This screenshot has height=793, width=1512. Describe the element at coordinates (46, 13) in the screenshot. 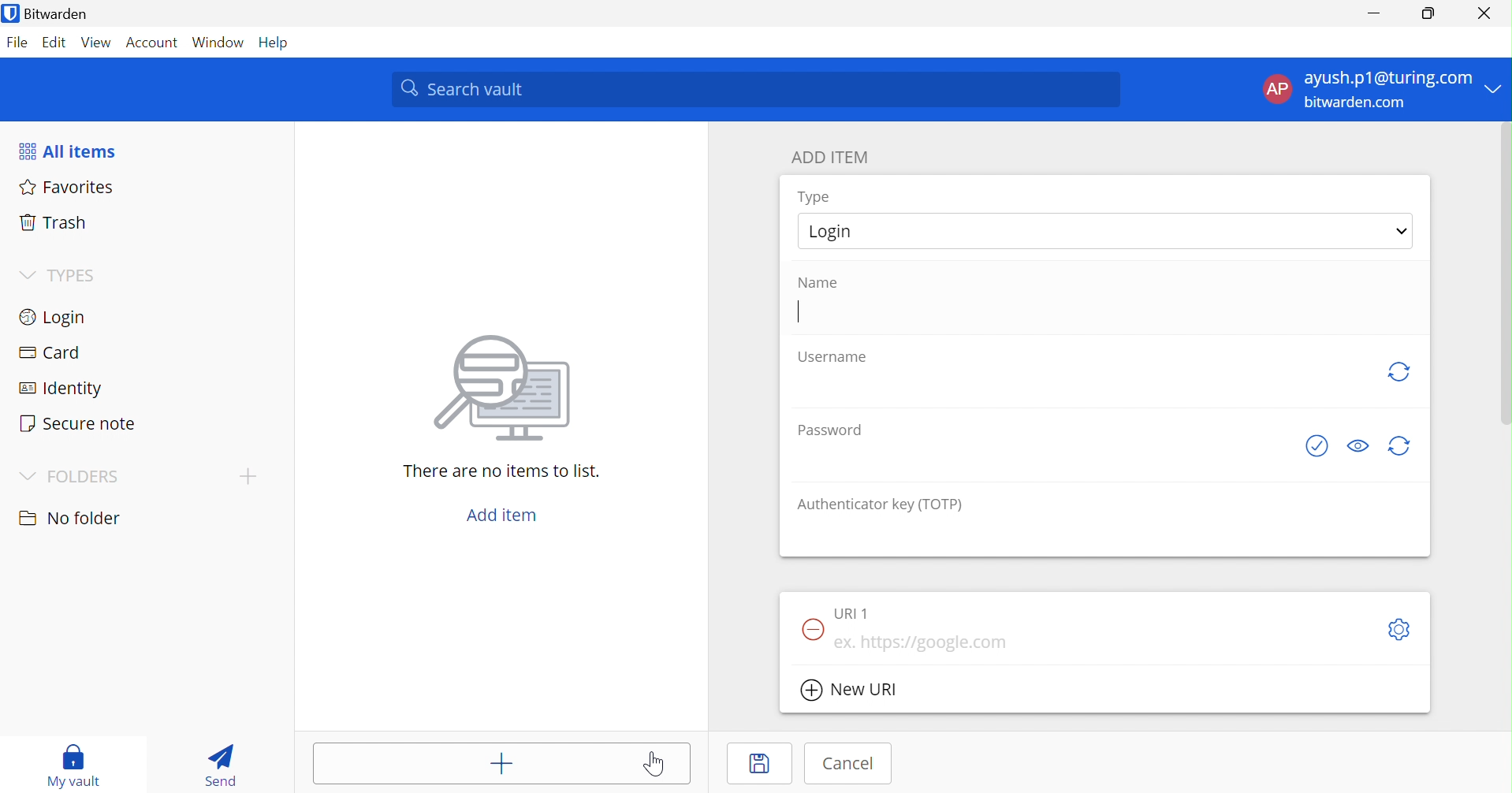

I see `Bitwarden` at that location.